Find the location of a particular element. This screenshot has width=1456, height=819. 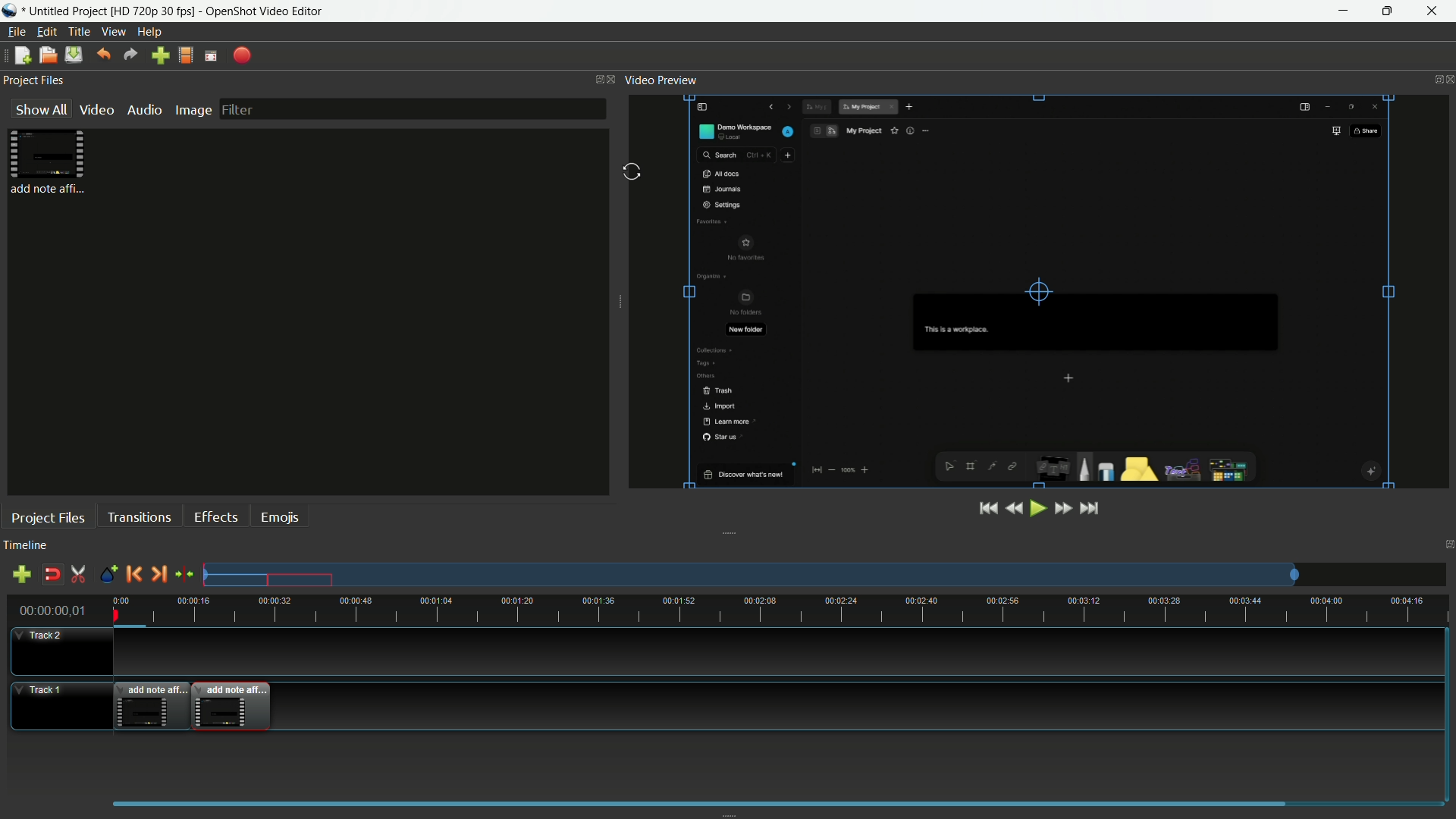

cursor is located at coordinates (630, 171).